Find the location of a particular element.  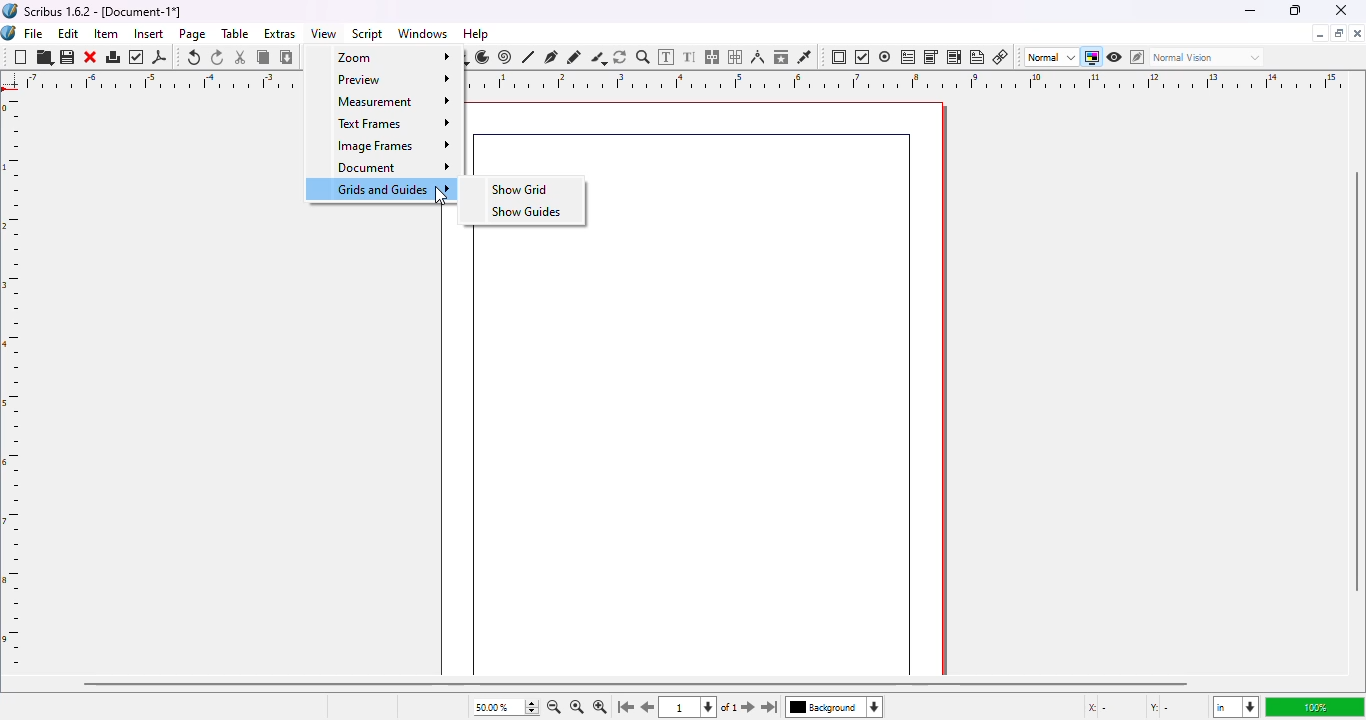

copy item properties is located at coordinates (781, 56).